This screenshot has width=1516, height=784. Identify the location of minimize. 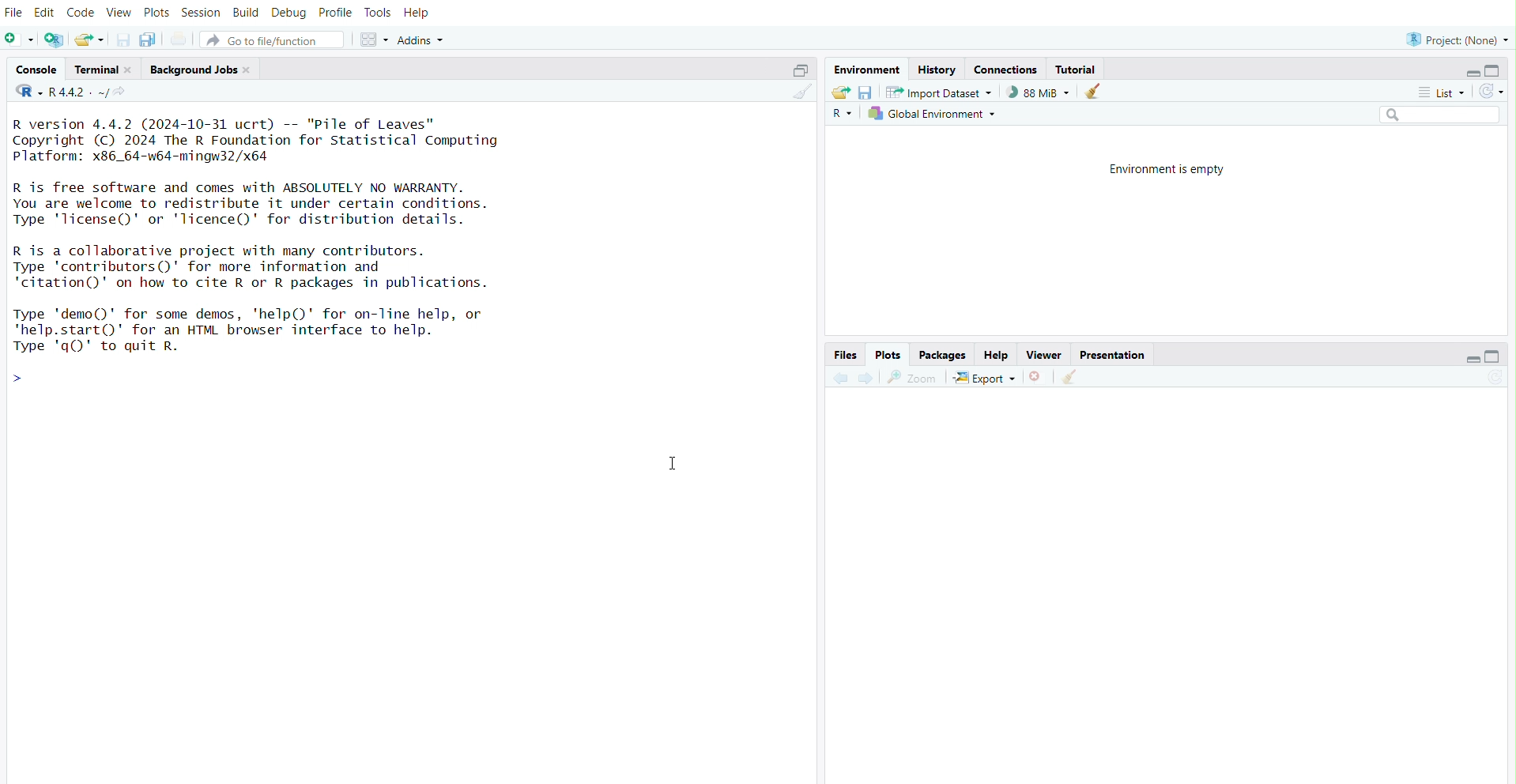
(1468, 357).